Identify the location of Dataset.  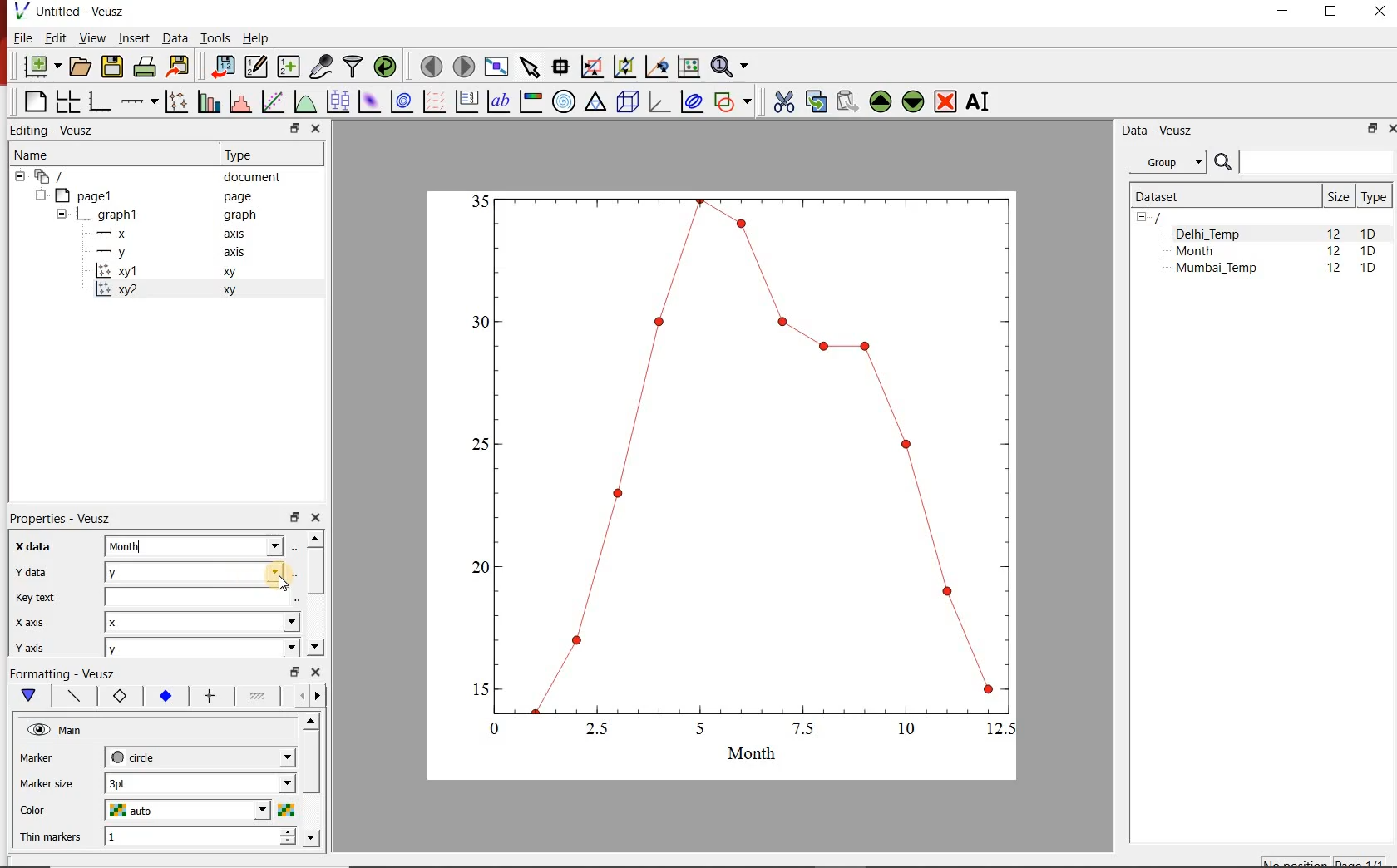
(1221, 196).